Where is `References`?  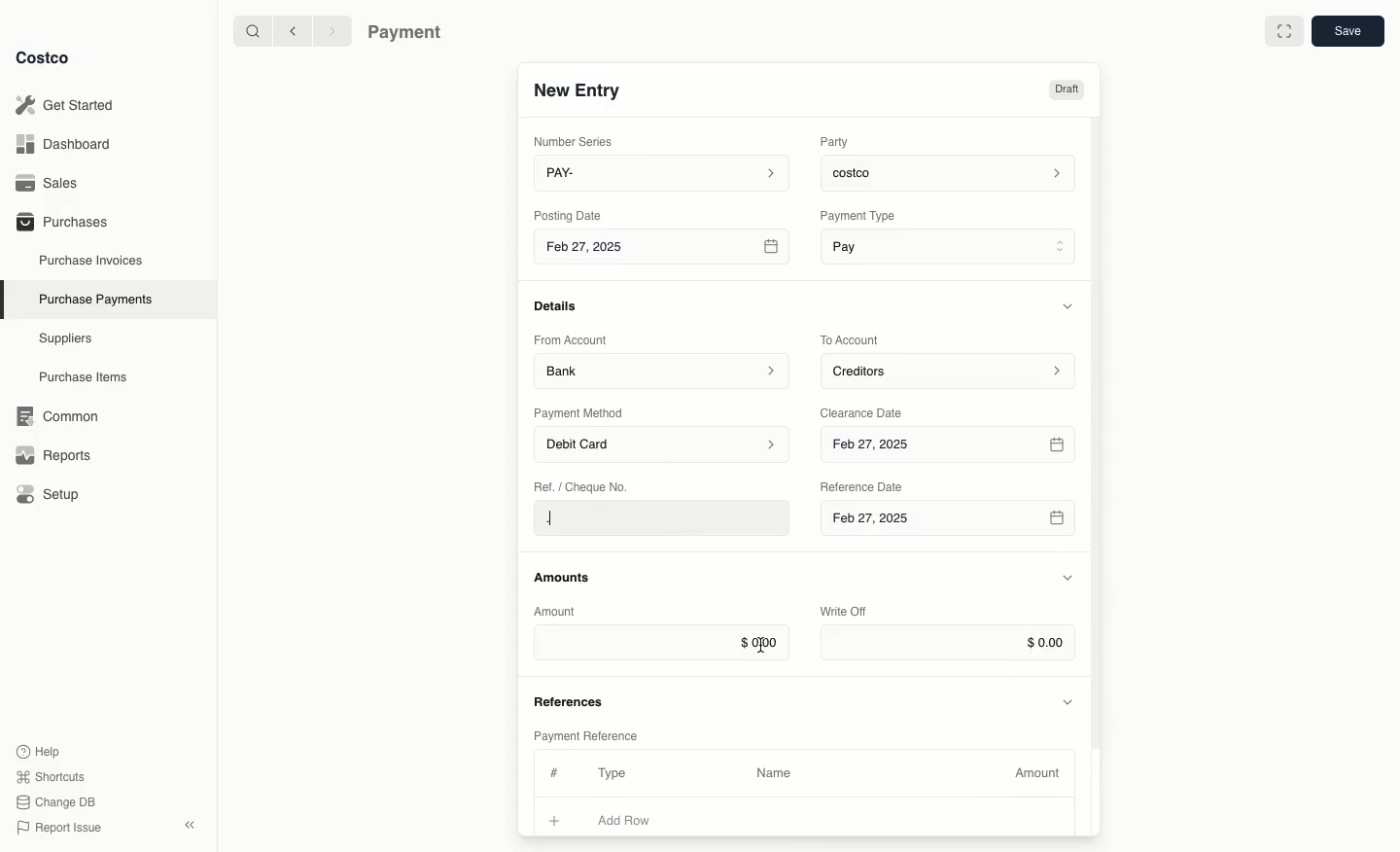 References is located at coordinates (572, 699).